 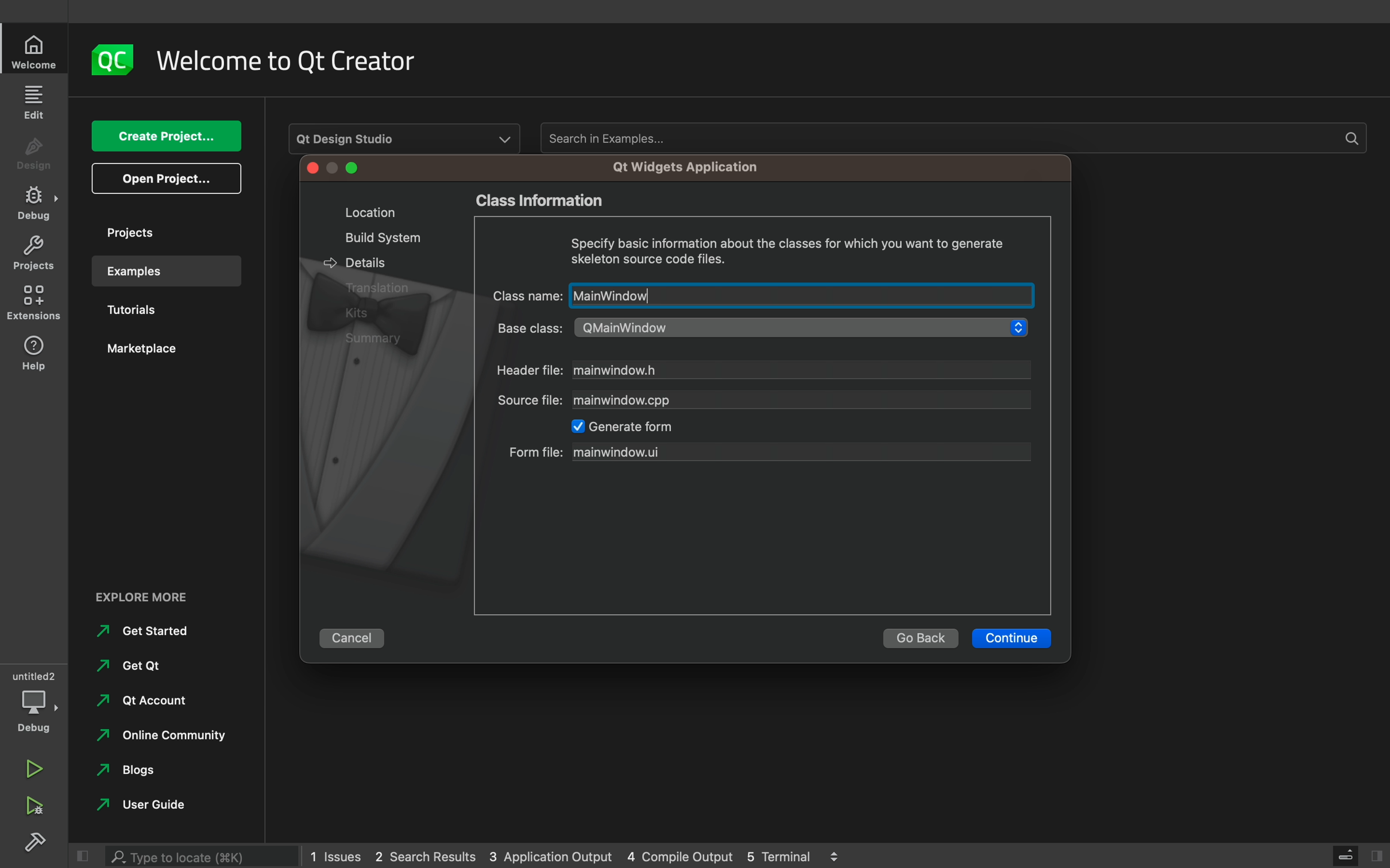 I want to click on check mark, so click(x=574, y=427).